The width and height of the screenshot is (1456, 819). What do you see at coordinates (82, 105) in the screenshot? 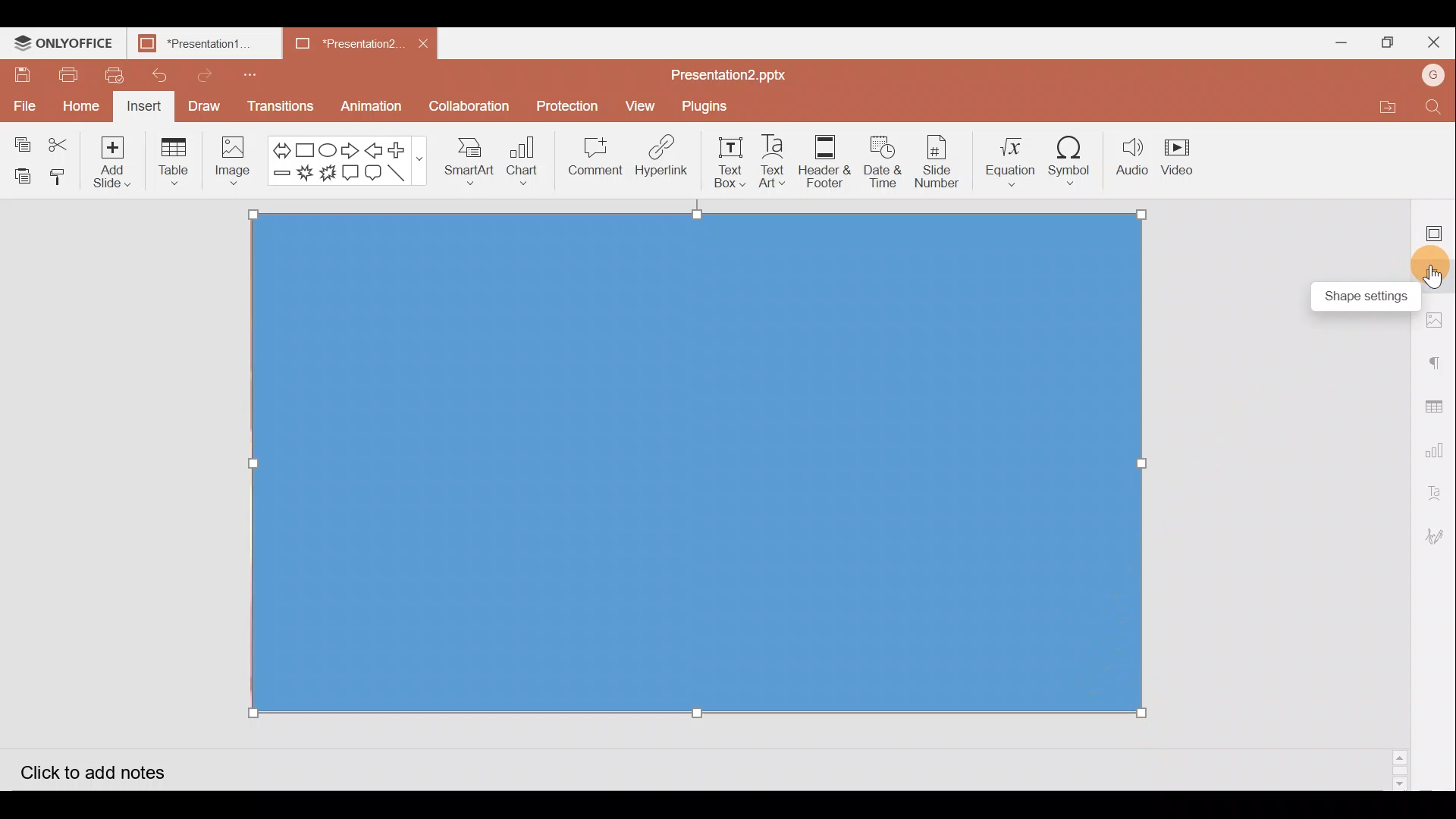
I see `Home` at bounding box center [82, 105].